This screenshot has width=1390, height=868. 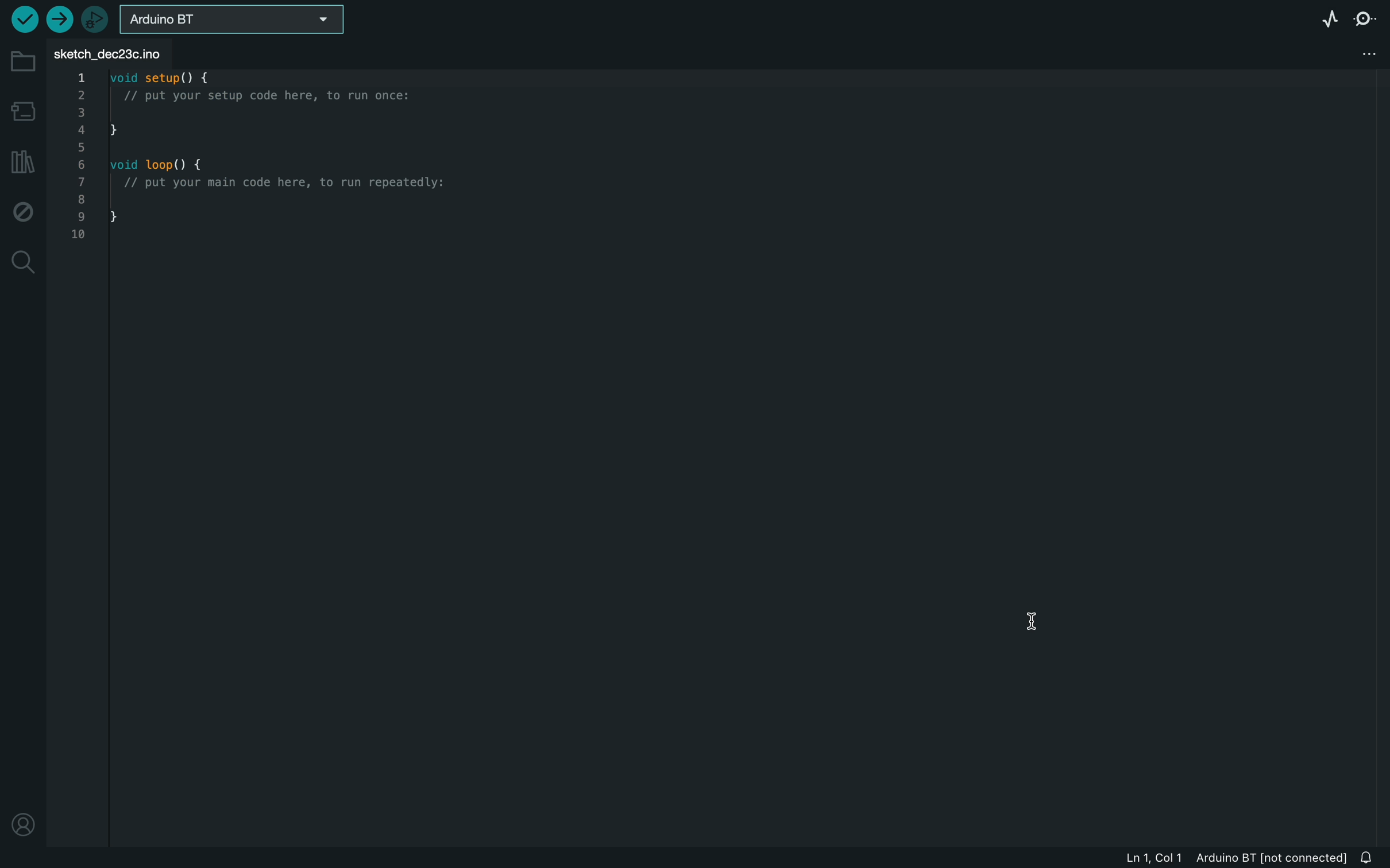 What do you see at coordinates (22, 164) in the screenshot?
I see `library` at bounding box center [22, 164].